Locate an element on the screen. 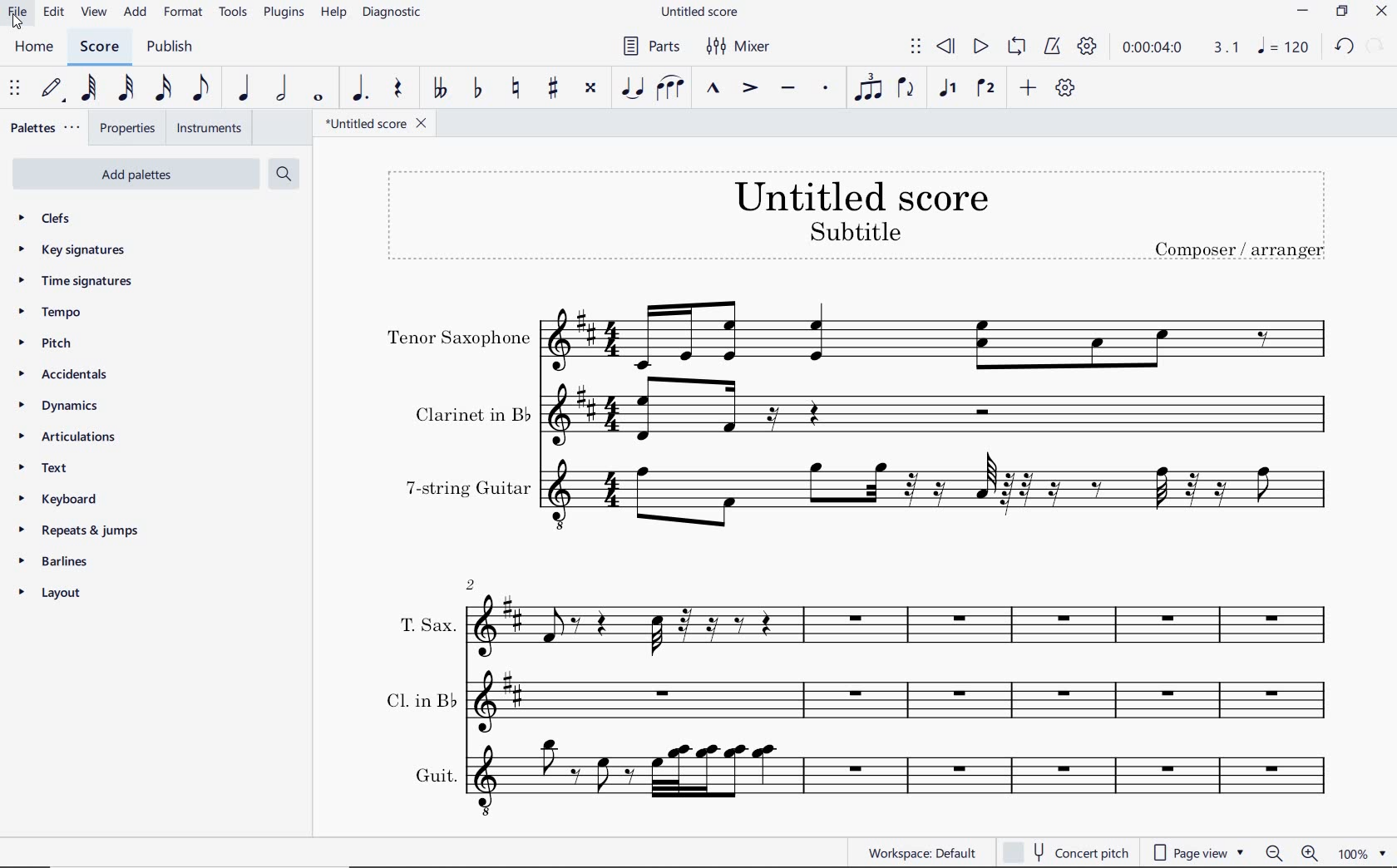 This screenshot has width=1397, height=868. HALF NOTE is located at coordinates (282, 90).